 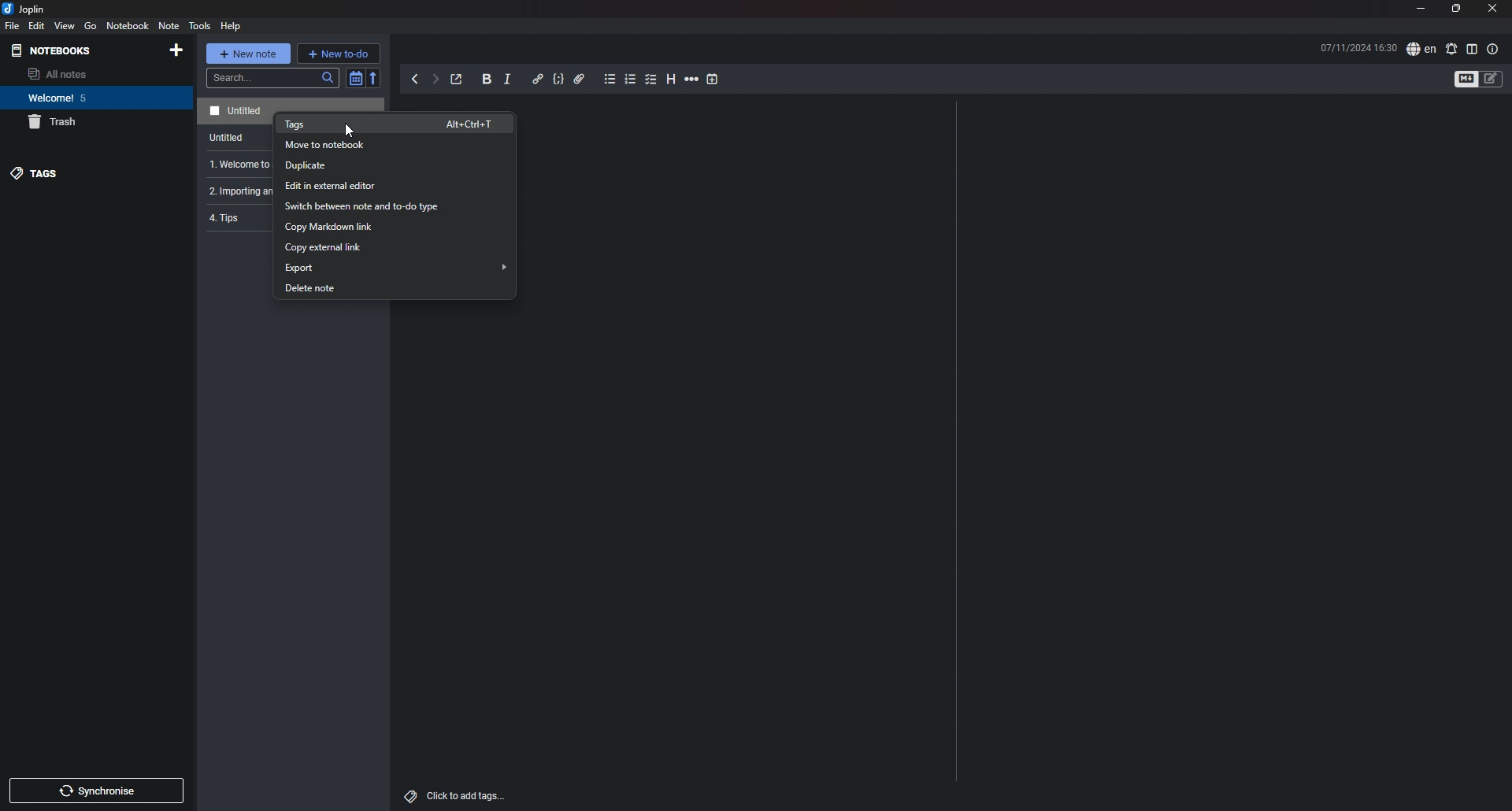 I want to click on notebook, so click(x=80, y=98).